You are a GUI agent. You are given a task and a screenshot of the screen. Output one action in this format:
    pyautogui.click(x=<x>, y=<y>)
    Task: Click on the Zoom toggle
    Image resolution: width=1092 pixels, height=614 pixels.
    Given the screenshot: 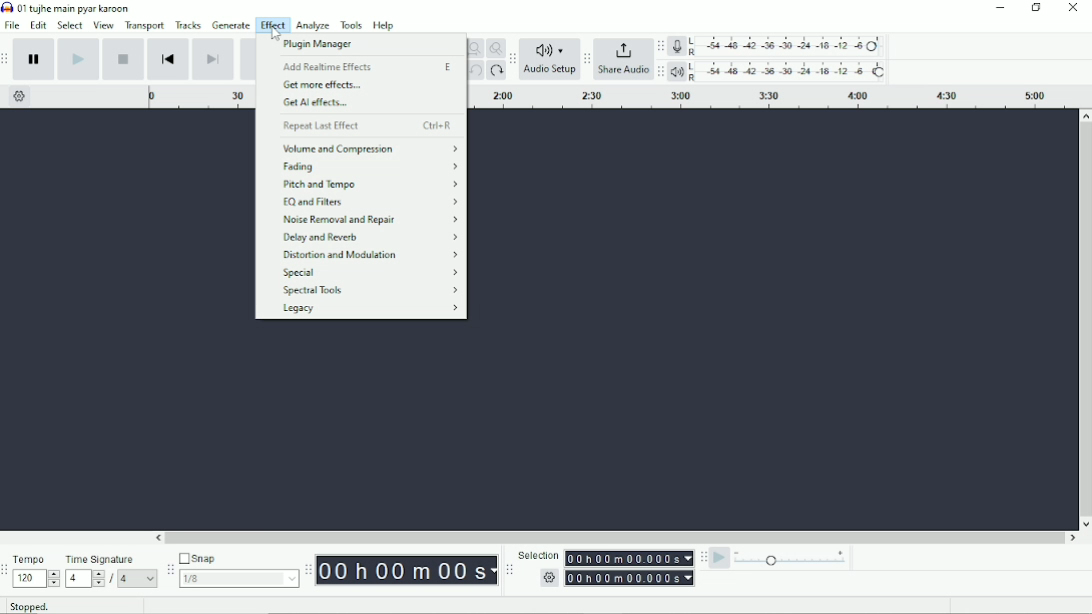 What is the action you would take?
    pyautogui.click(x=495, y=48)
    